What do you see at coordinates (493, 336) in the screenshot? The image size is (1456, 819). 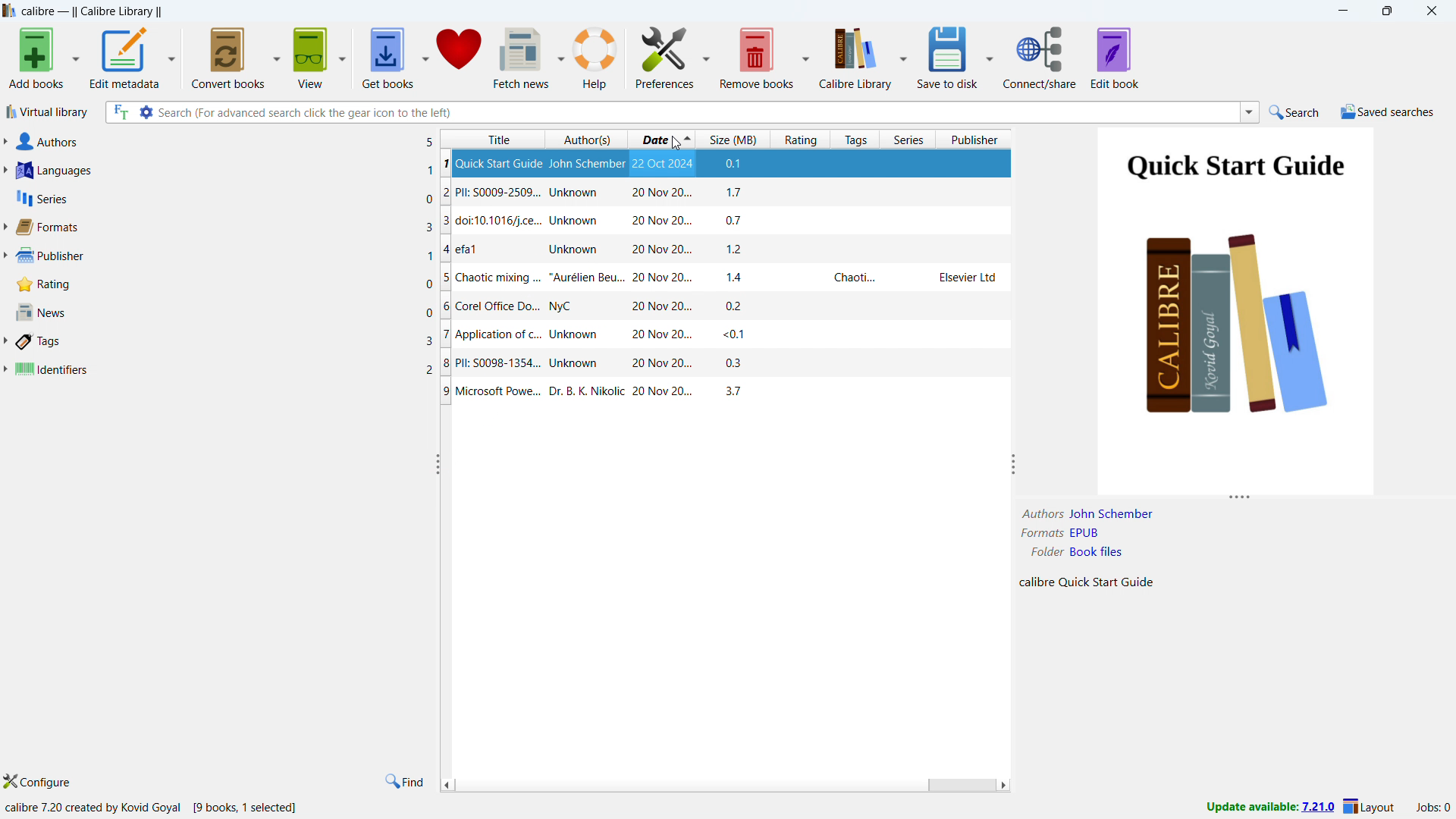 I see `Chaotic mixing .` at bounding box center [493, 336].